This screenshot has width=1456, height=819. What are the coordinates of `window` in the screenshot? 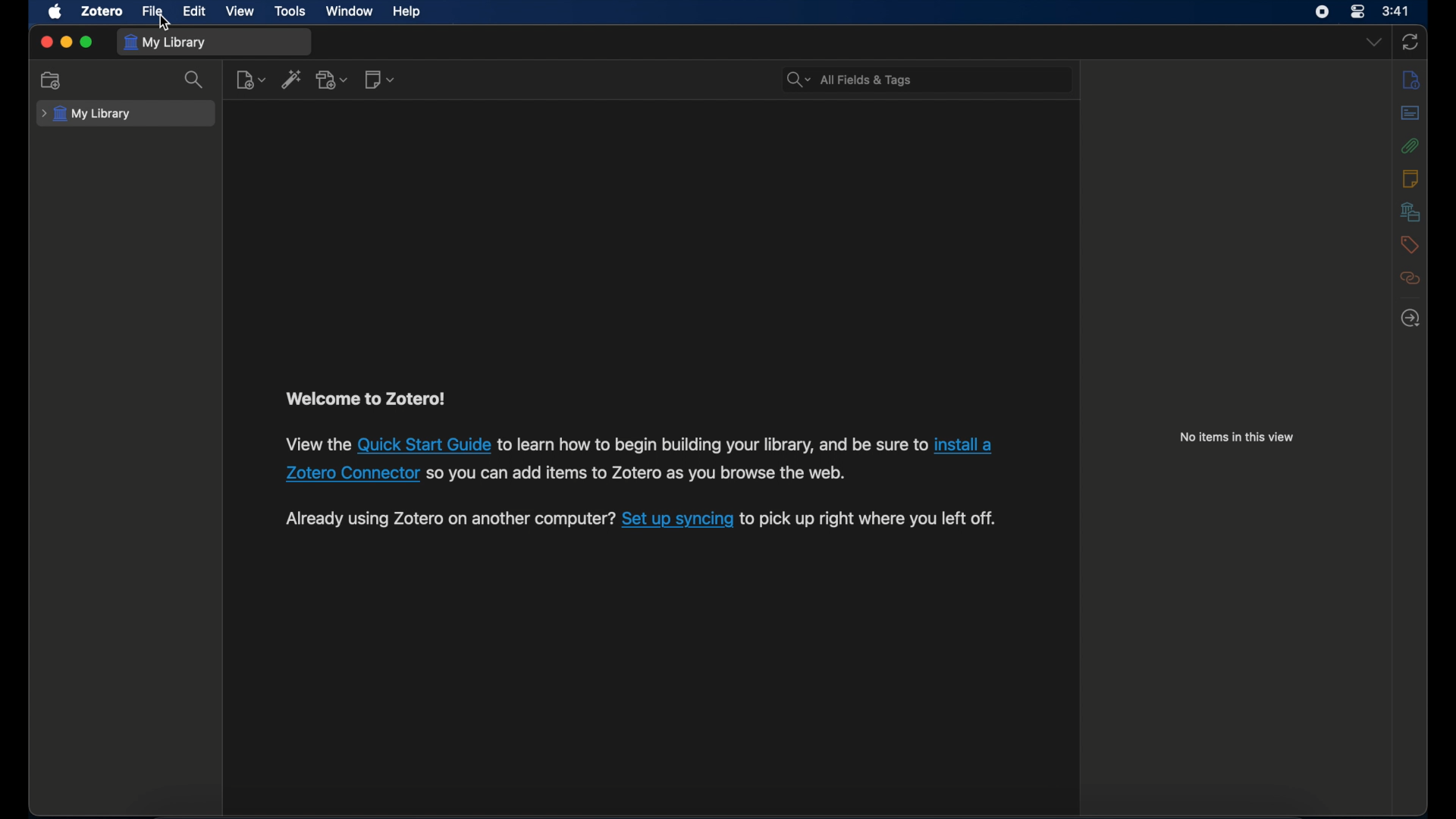 It's located at (351, 12).